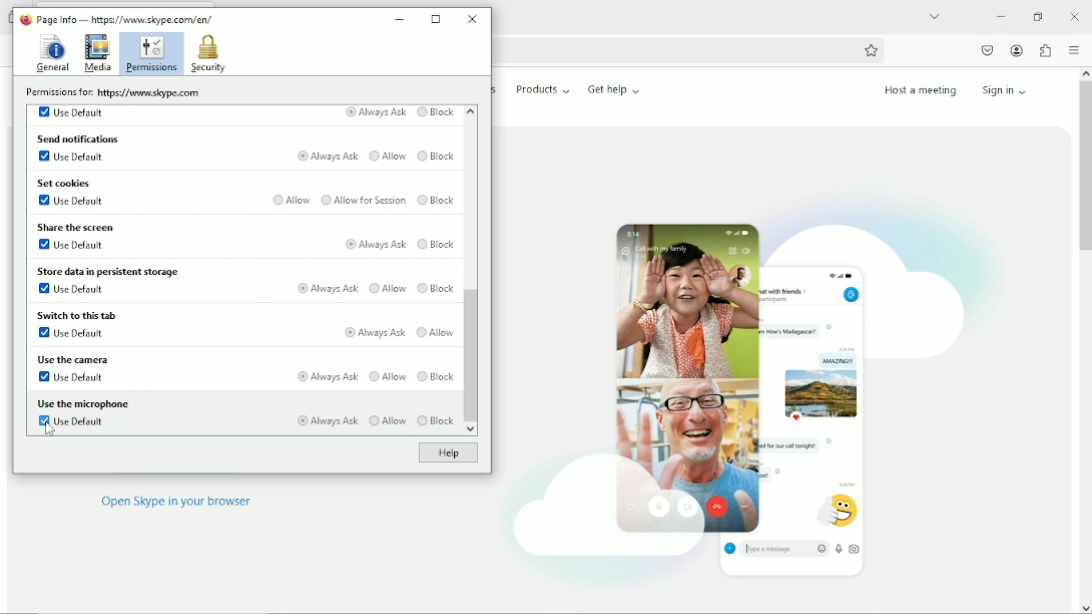  What do you see at coordinates (386, 375) in the screenshot?
I see `Allow` at bounding box center [386, 375].